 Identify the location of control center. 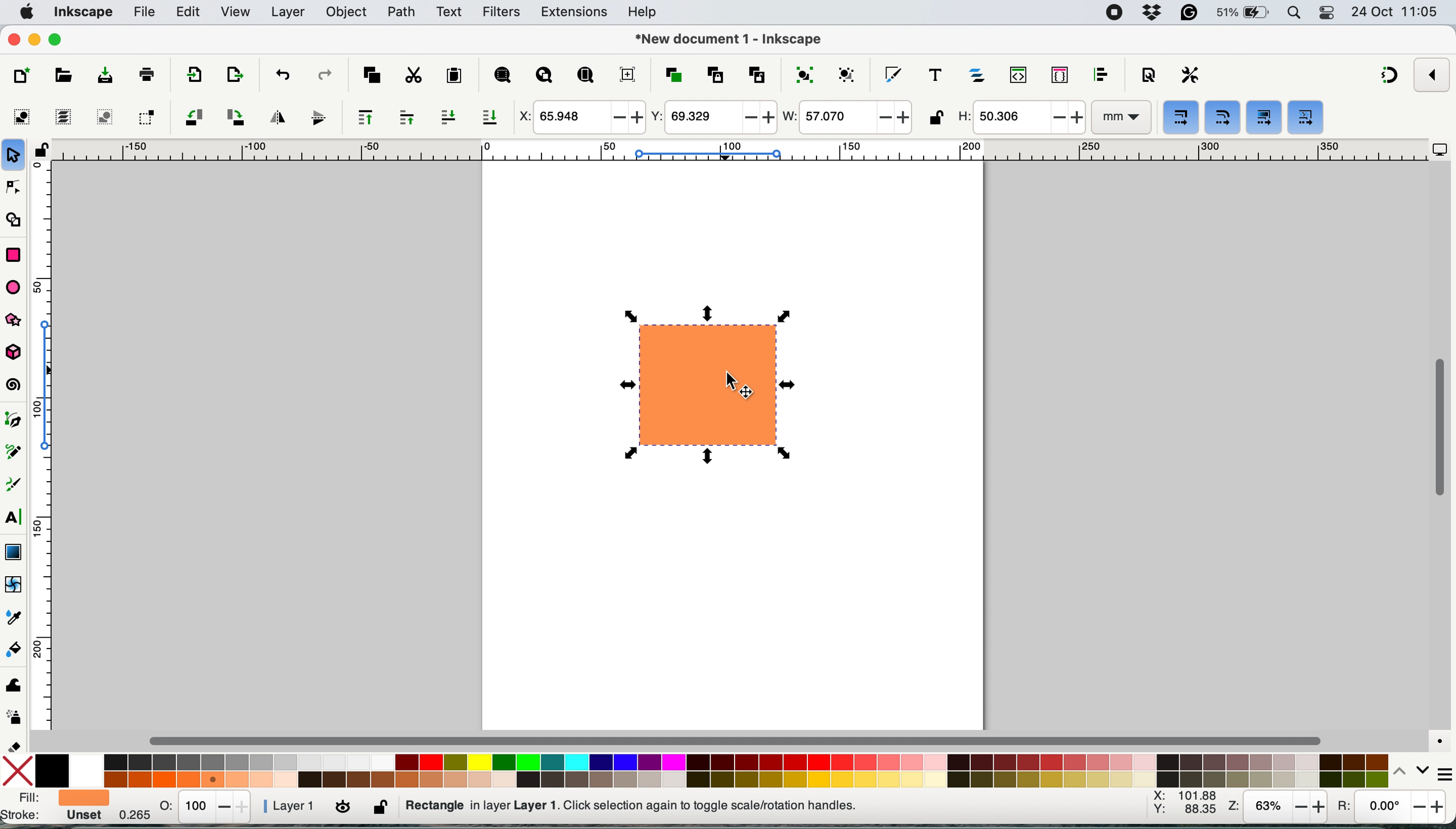
(1329, 14).